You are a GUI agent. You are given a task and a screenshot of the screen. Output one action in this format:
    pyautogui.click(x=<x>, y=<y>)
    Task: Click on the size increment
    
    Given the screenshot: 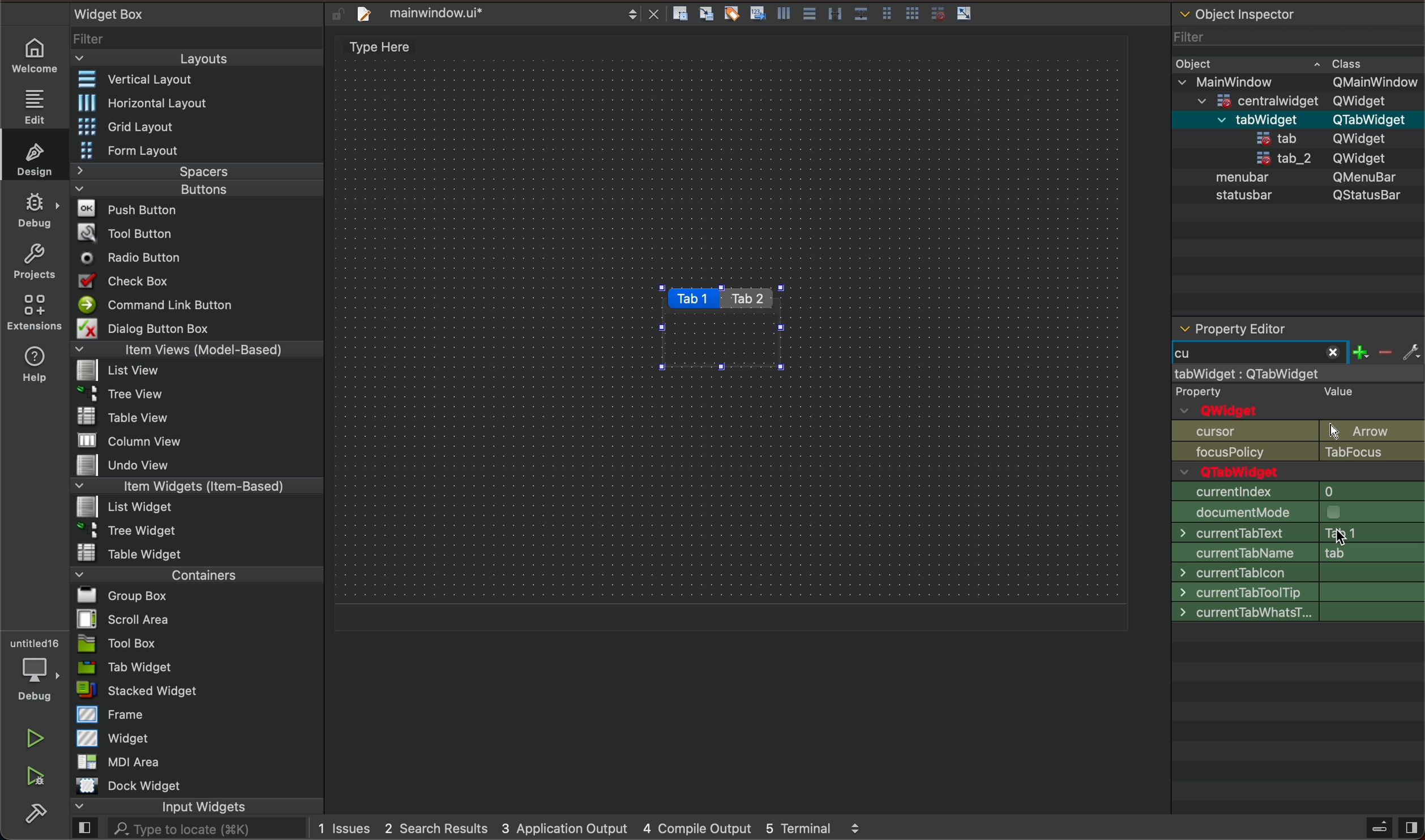 What is the action you would take?
    pyautogui.click(x=1298, y=571)
    